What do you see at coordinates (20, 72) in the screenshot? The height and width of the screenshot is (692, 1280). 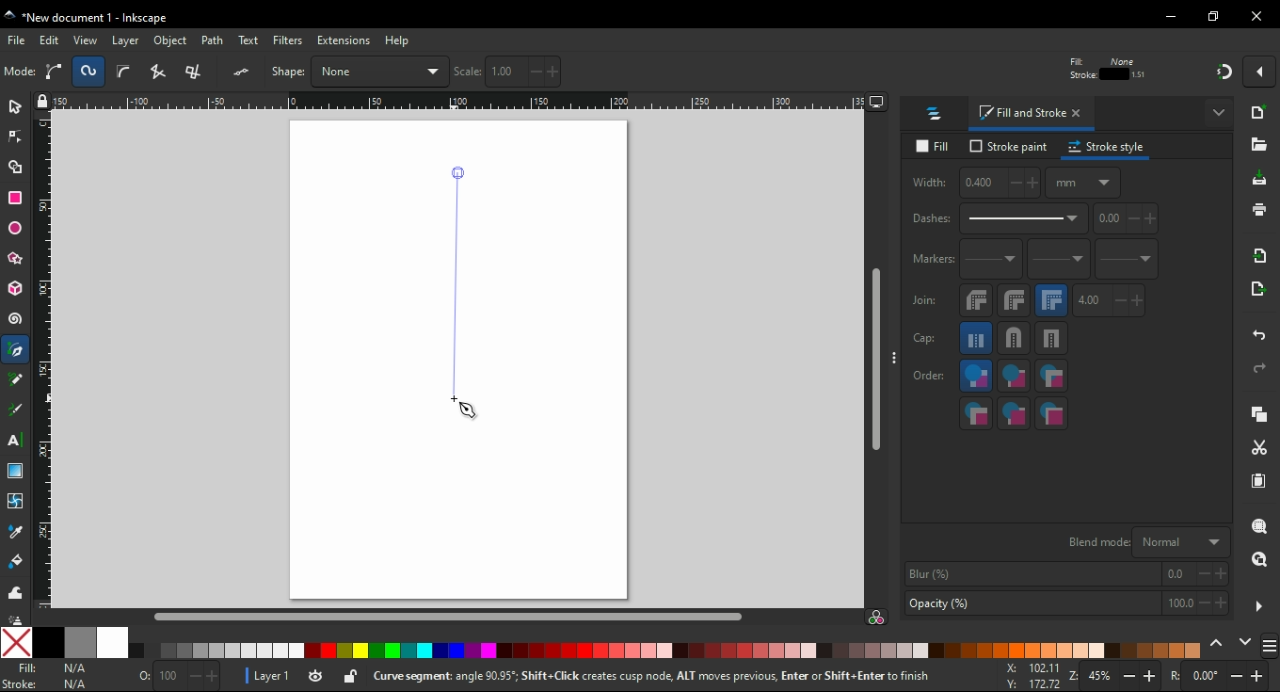 I see `select all` at bounding box center [20, 72].